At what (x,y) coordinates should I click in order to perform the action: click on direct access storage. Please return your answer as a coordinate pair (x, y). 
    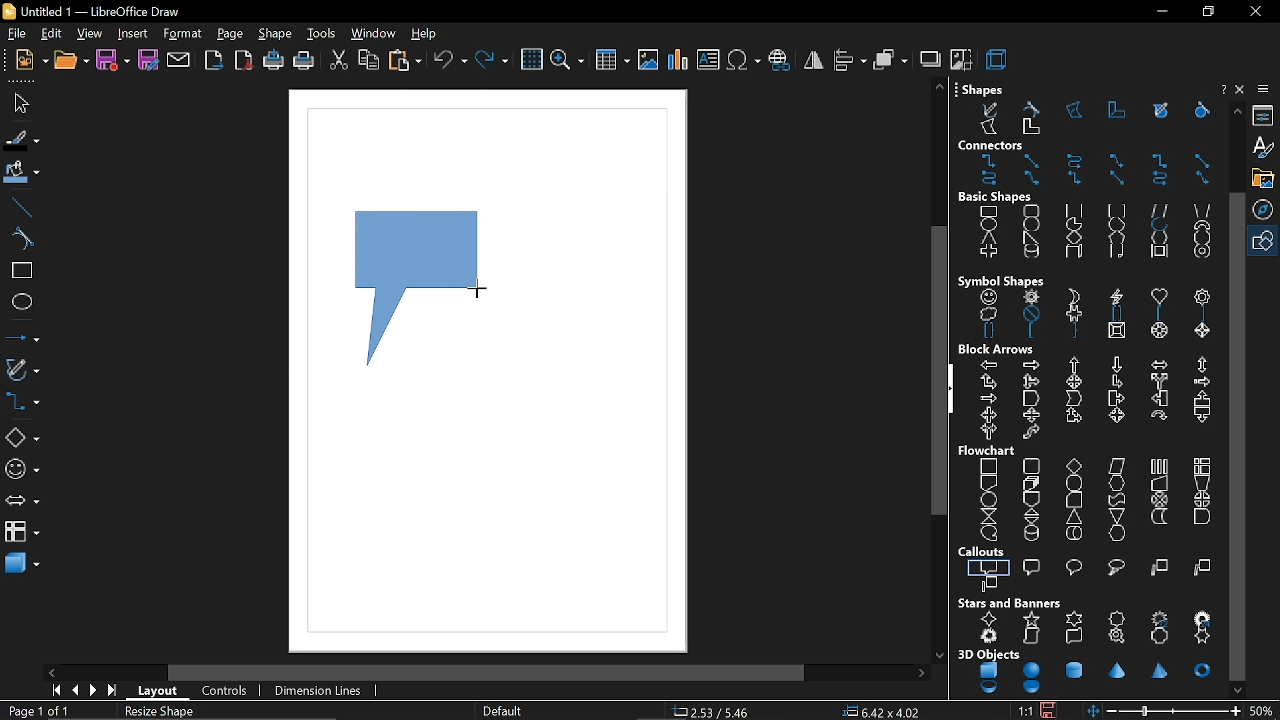
    Looking at the image, I should click on (1073, 534).